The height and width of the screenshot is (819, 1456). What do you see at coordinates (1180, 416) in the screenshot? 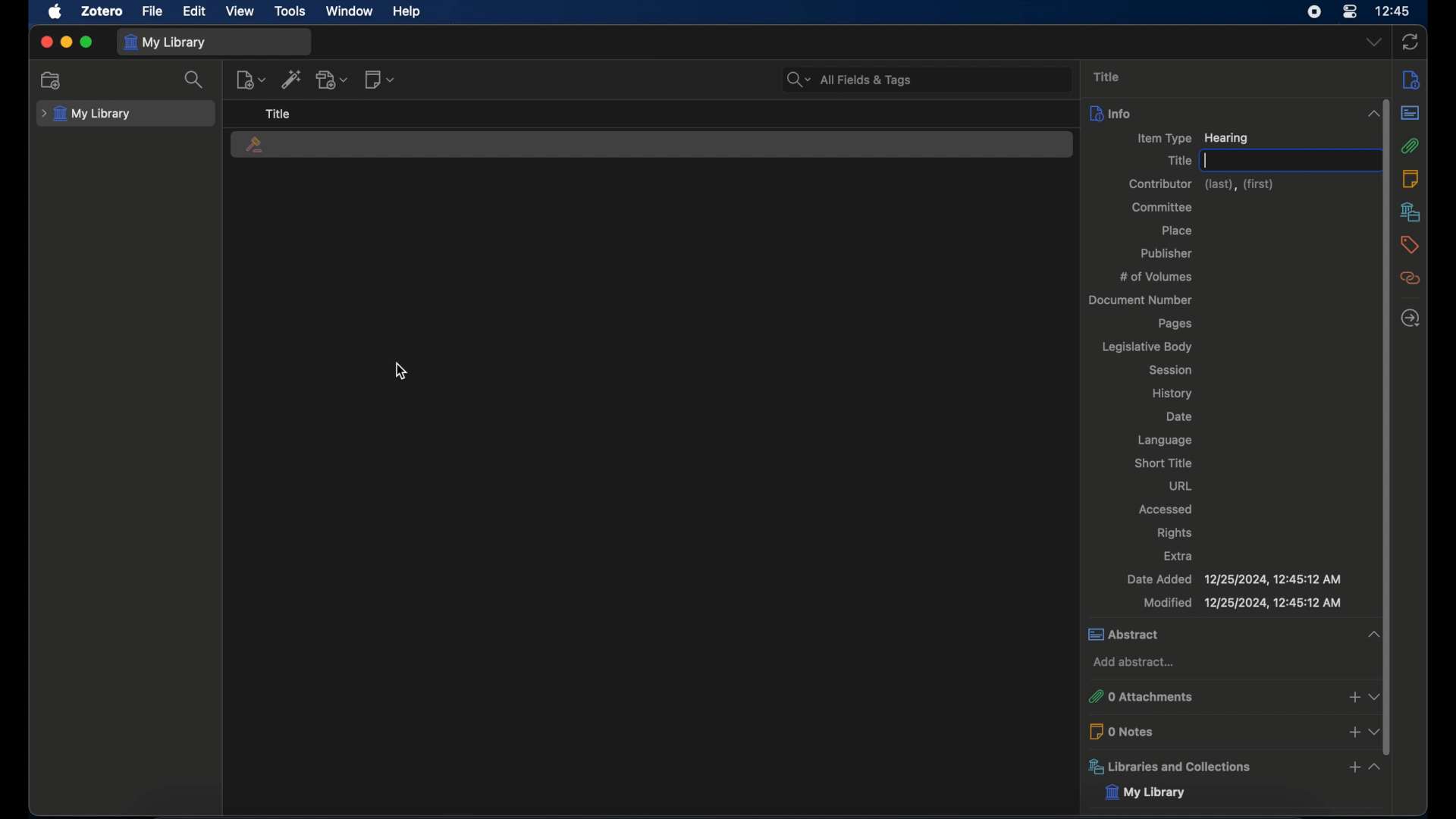
I see `date` at bounding box center [1180, 416].